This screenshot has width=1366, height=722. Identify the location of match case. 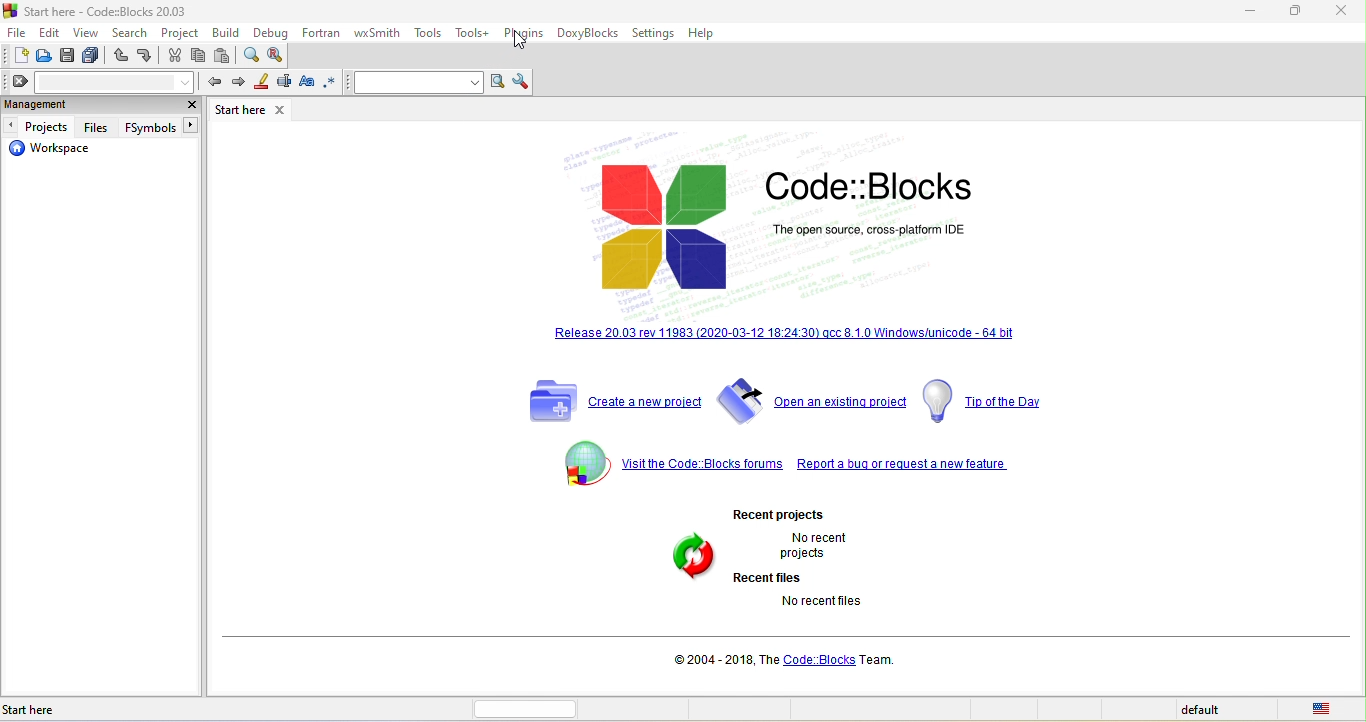
(307, 83).